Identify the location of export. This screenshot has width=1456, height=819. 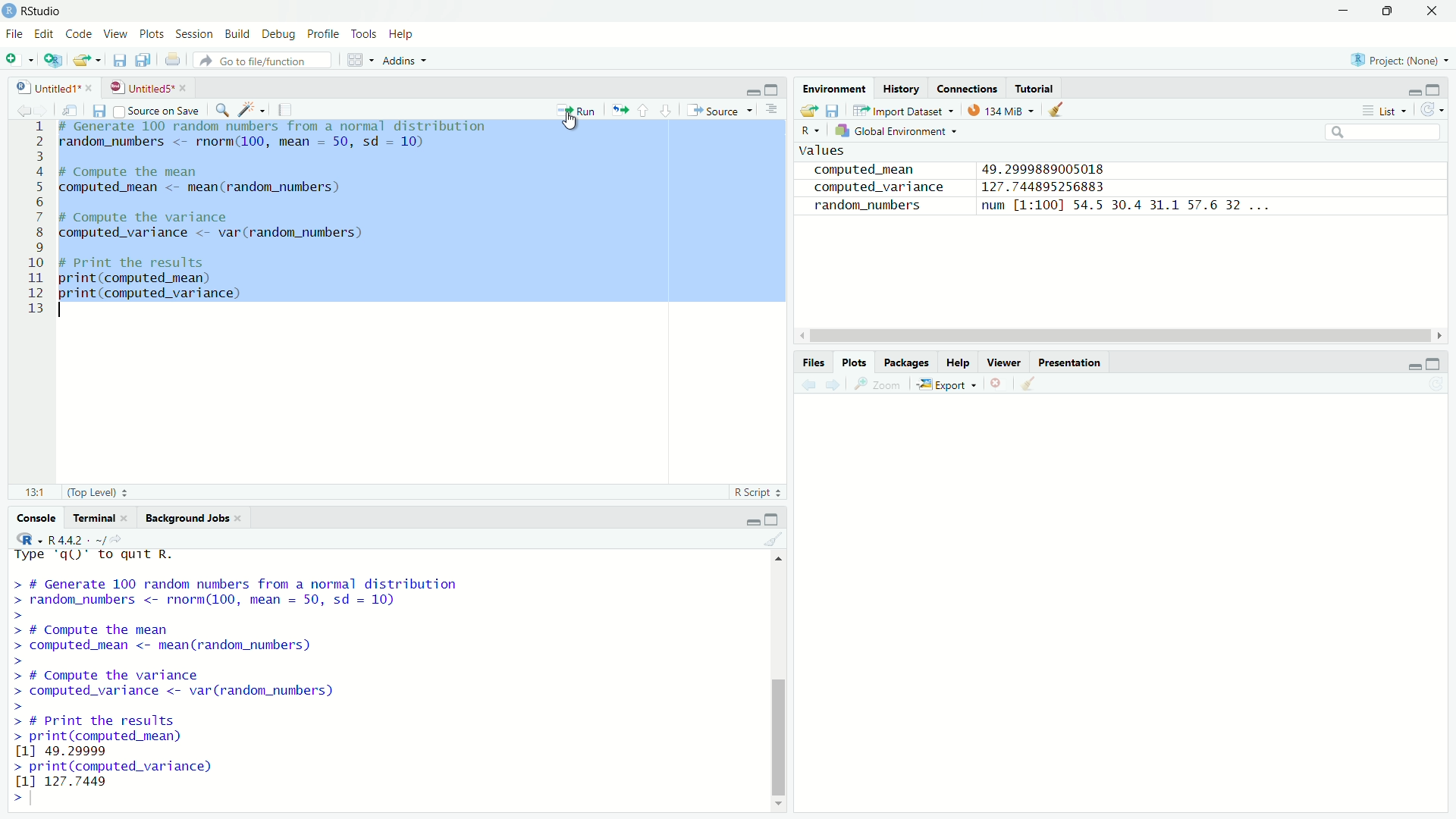
(949, 384).